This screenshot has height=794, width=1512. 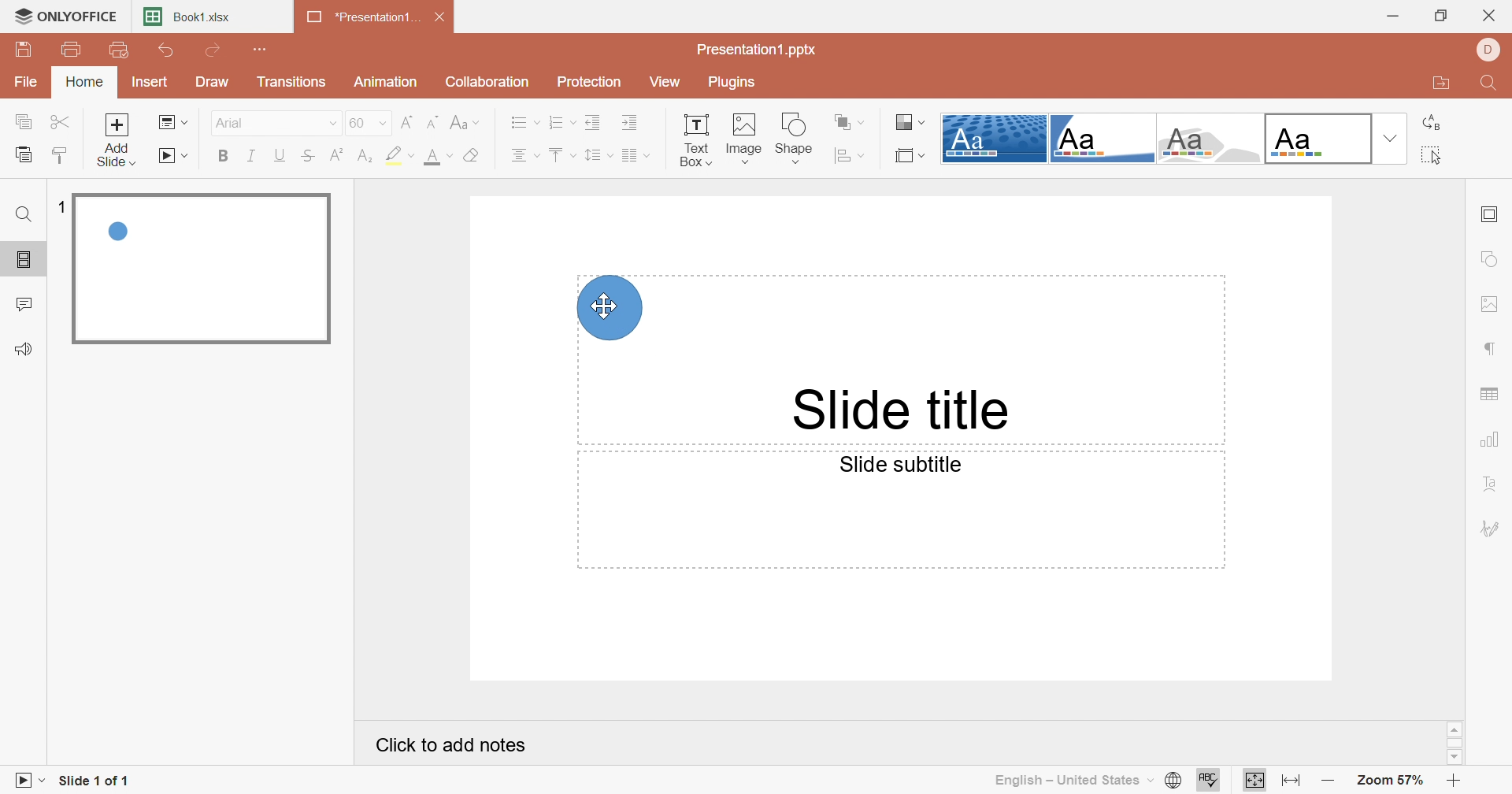 What do you see at coordinates (26, 783) in the screenshot?
I see `Start slideshow` at bounding box center [26, 783].